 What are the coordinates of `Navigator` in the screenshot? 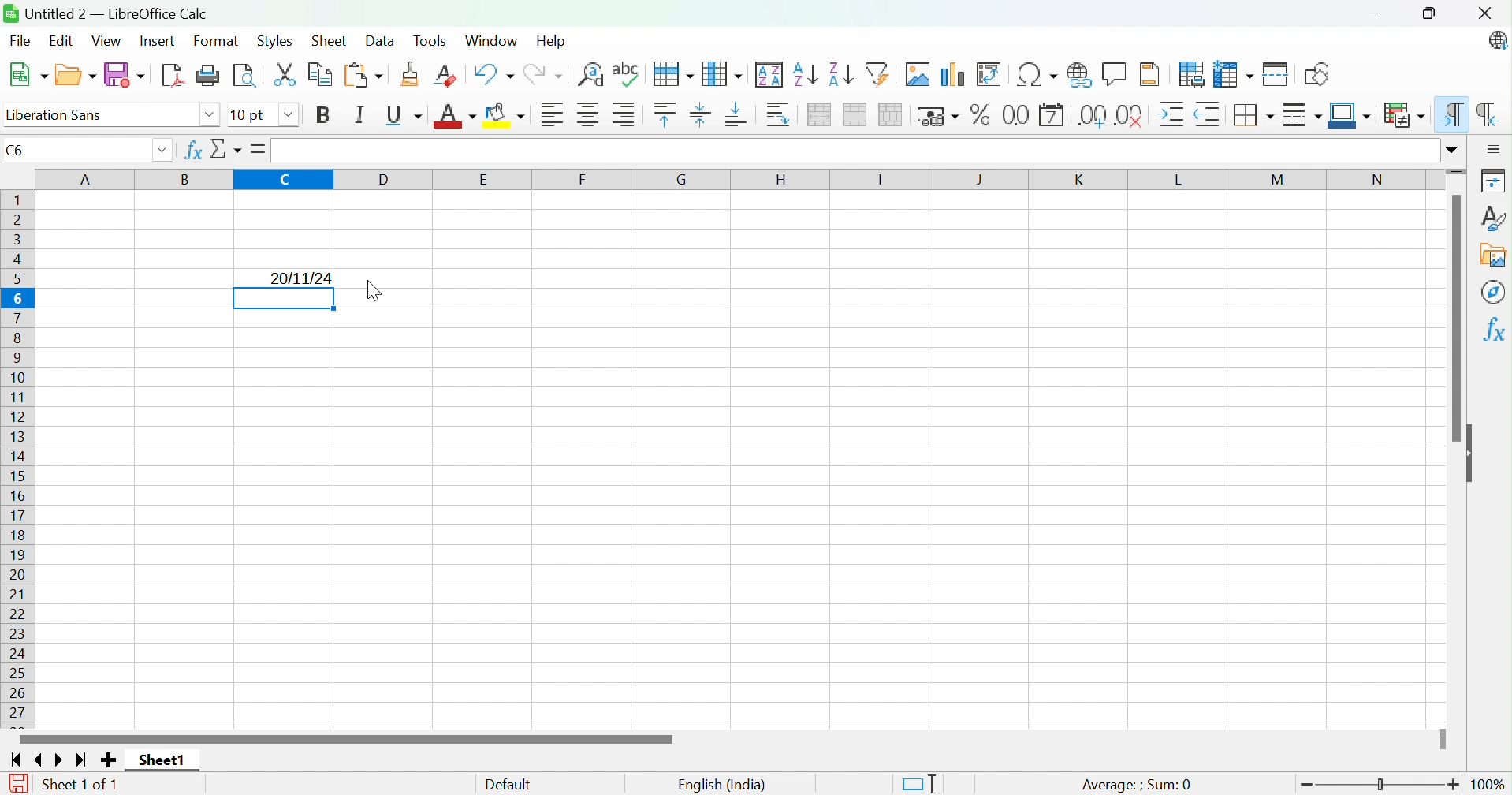 It's located at (1494, 292).